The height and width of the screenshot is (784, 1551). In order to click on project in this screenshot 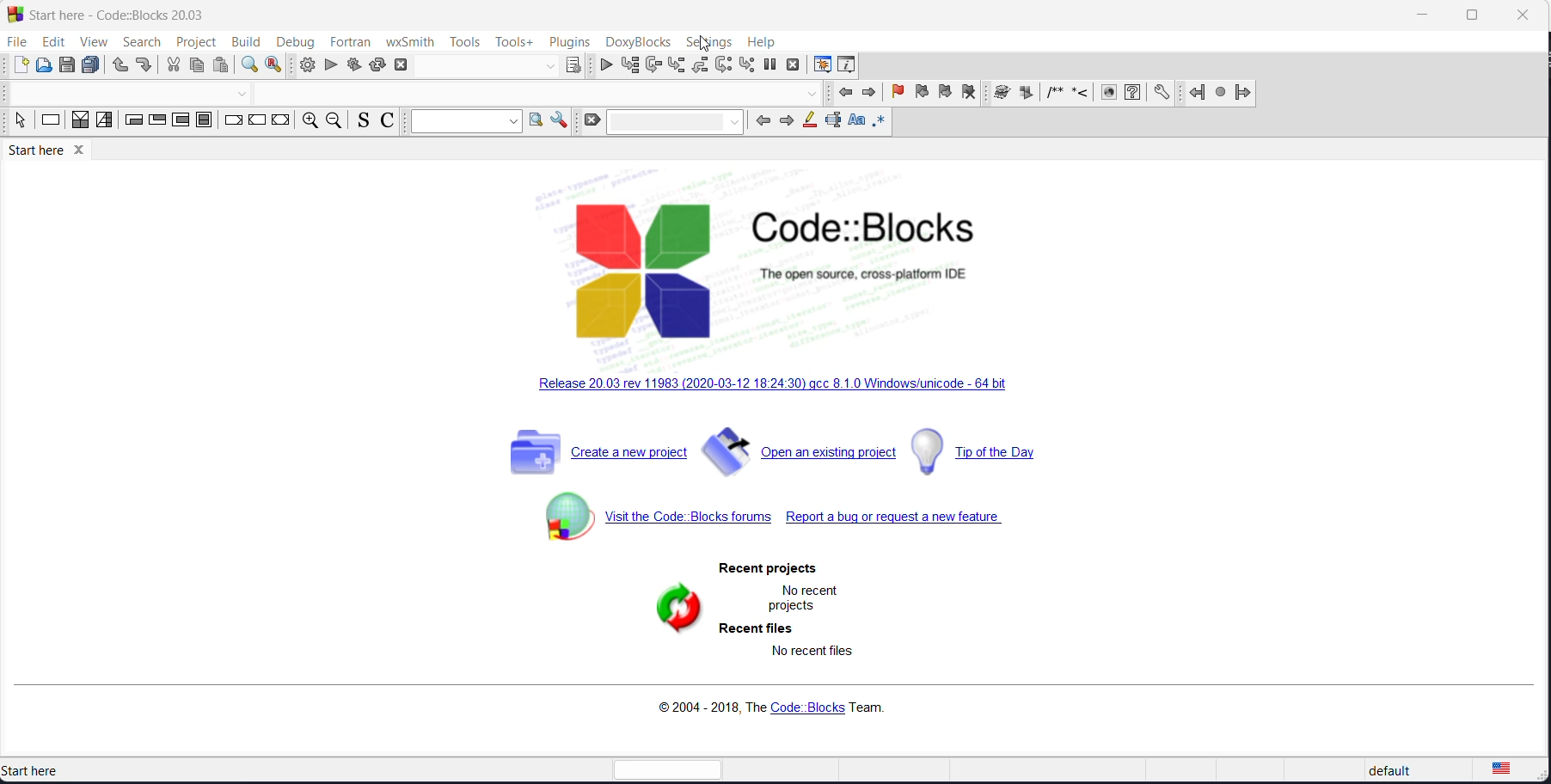, I will do `click(193, 42)`.